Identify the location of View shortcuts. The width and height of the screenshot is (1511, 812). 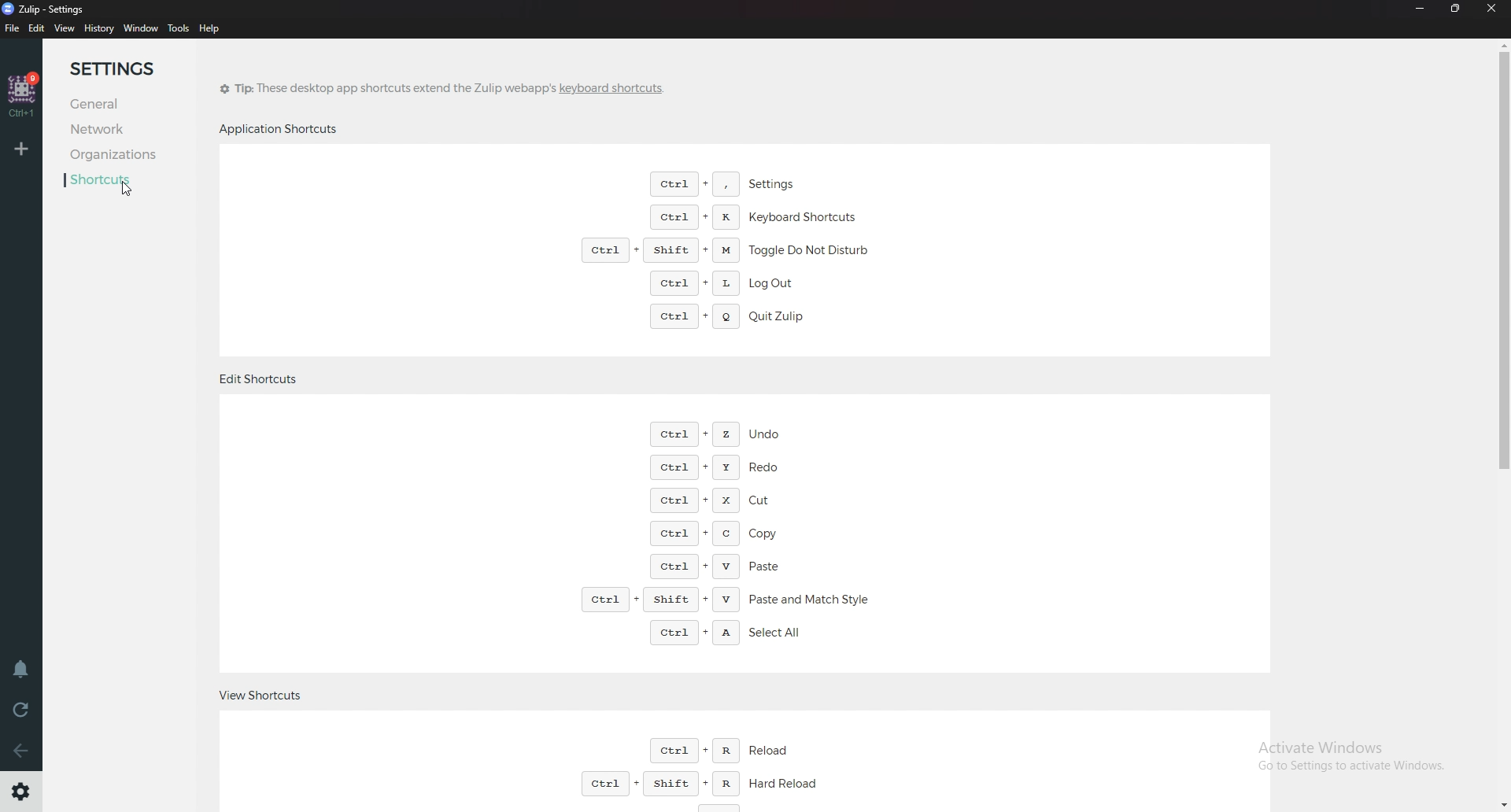
(265, 693).